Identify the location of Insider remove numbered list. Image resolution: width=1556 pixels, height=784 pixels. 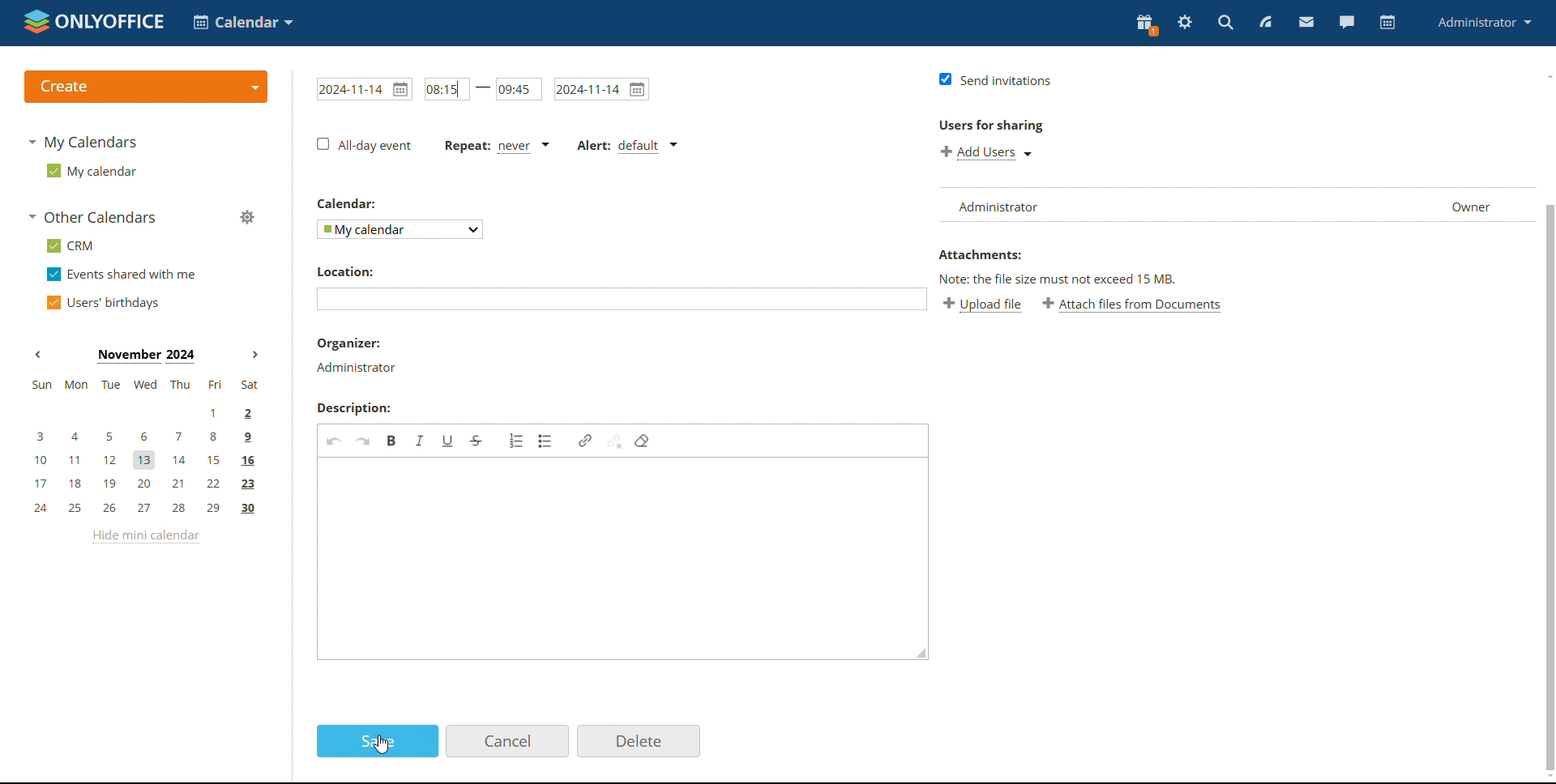
(517, 441).